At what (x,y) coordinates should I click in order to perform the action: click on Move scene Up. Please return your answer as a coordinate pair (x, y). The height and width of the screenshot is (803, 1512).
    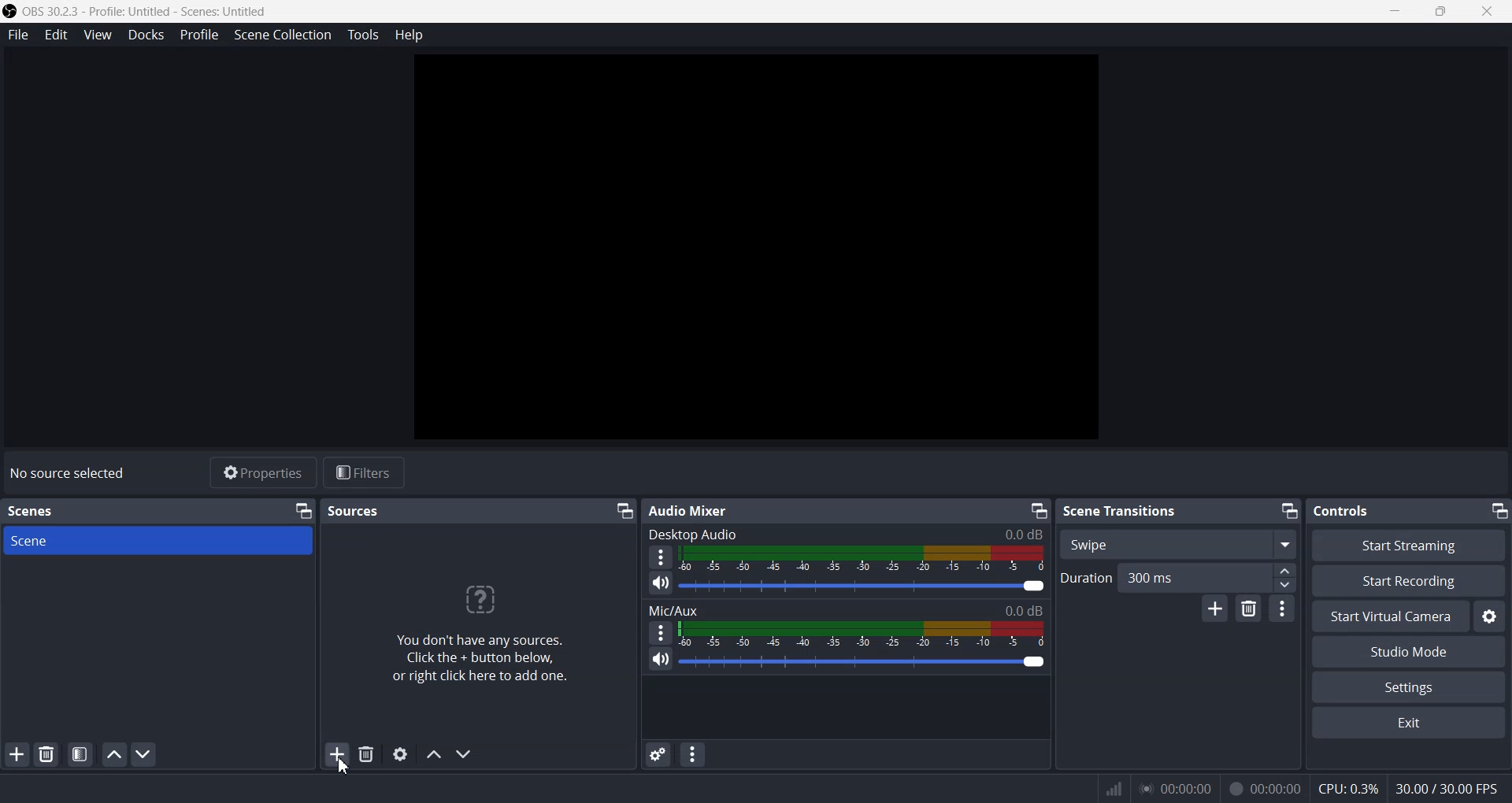
    Looking at the image, I should click on (114, 755).